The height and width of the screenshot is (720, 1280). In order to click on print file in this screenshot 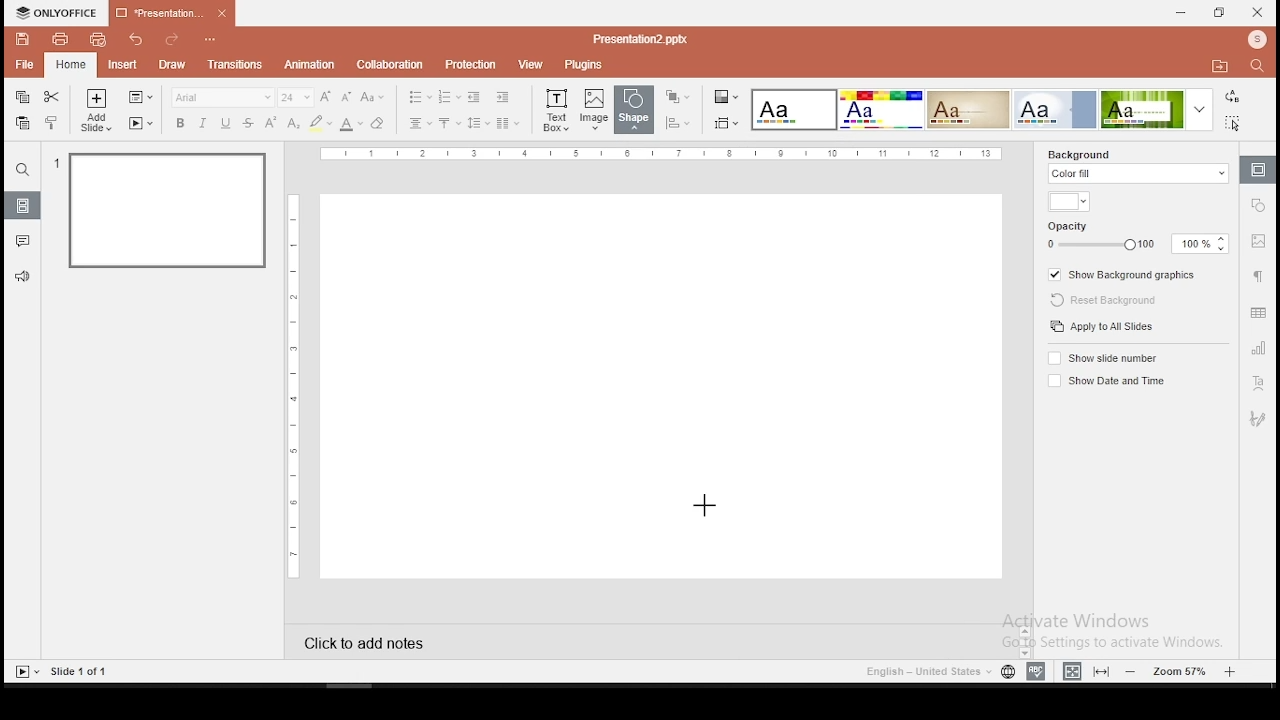, I will do `click(58, 39)`.